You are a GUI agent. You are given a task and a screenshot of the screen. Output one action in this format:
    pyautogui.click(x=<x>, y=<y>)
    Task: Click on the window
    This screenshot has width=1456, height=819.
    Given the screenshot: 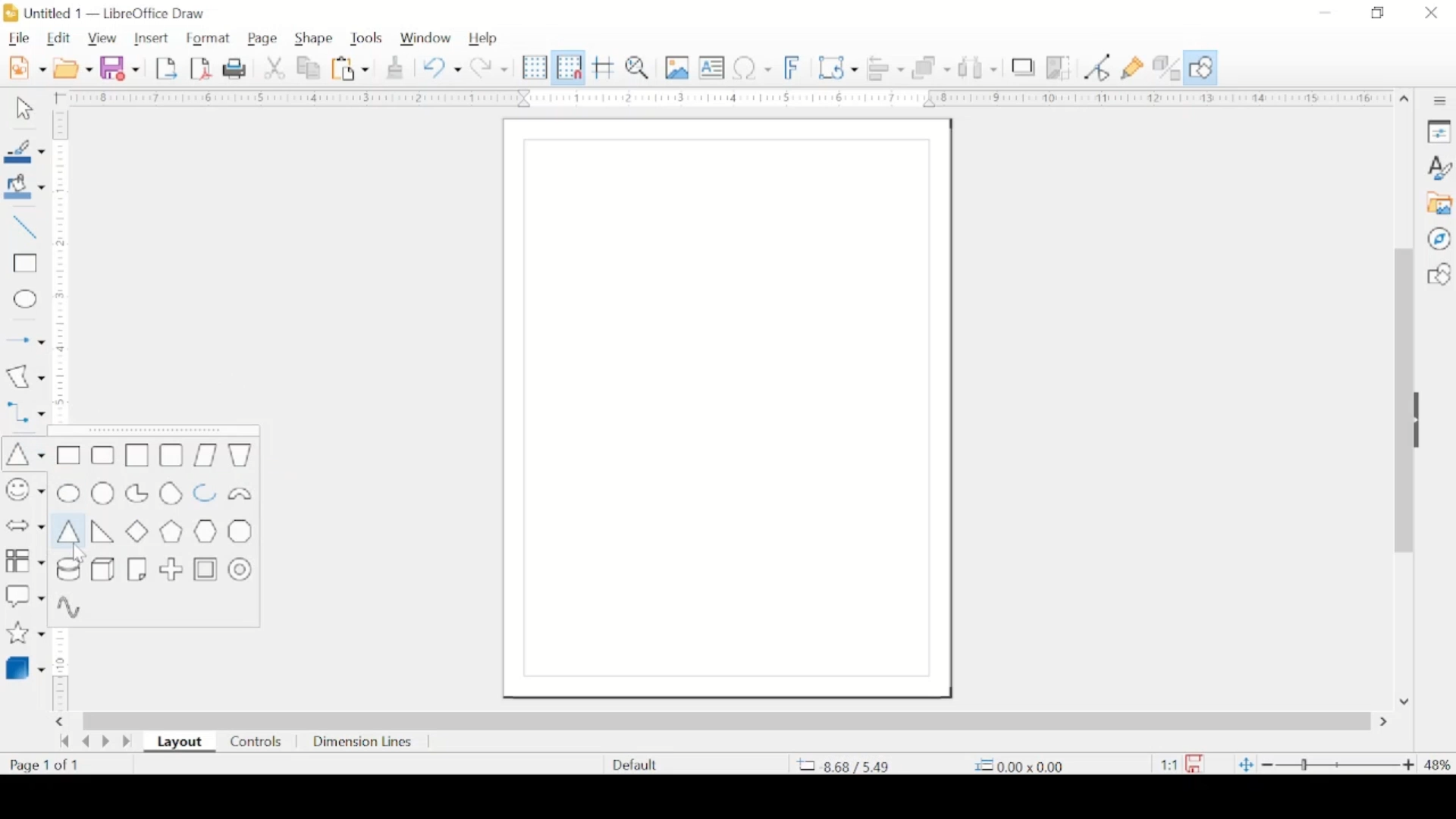 What is the action you would take?
    pyautogui.click(x=425, y=36)
    